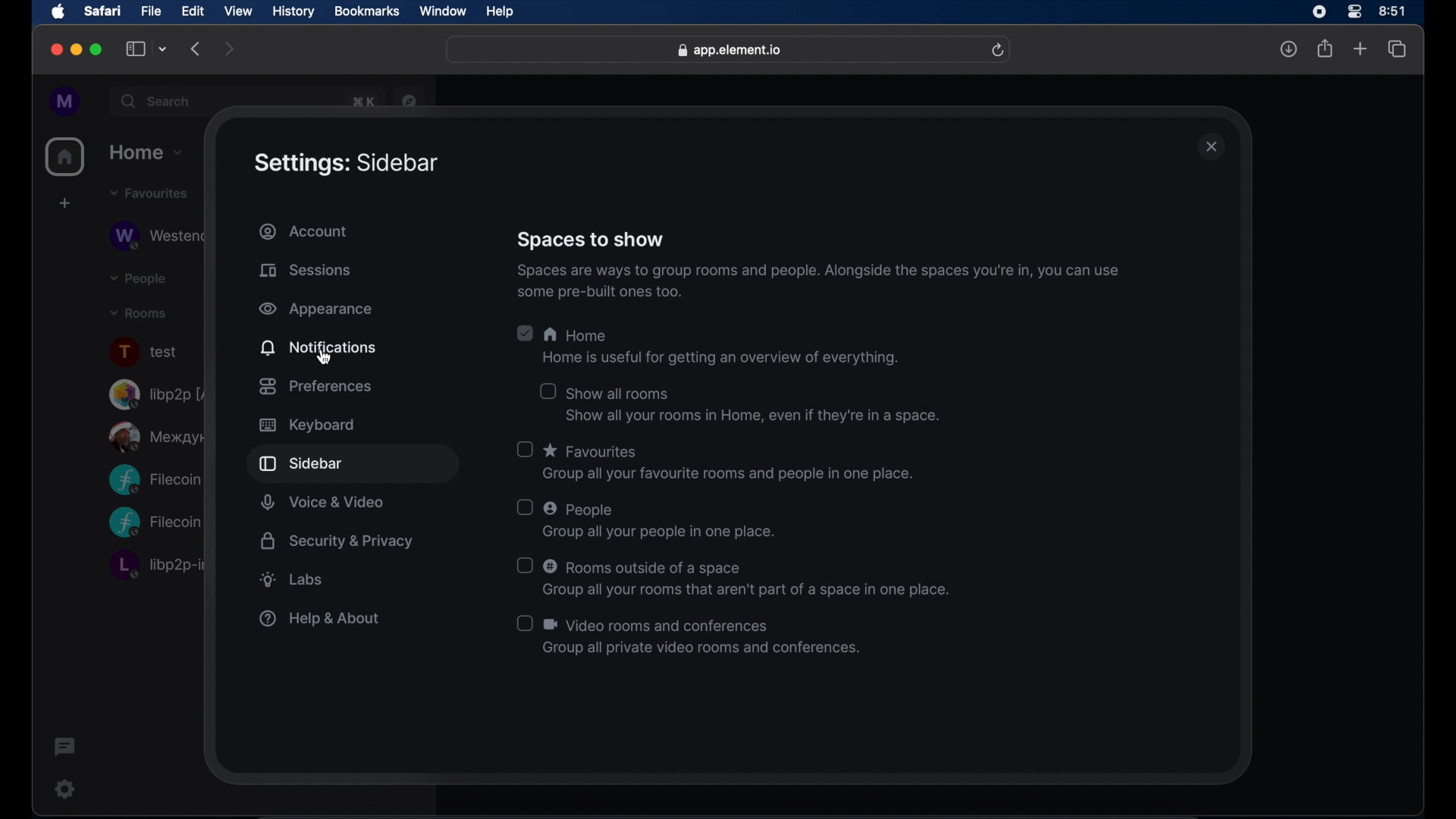  What do you see at coordinates (1357, 15) in the screenshot?
I see `control center` at bounding box center [1357, 15].